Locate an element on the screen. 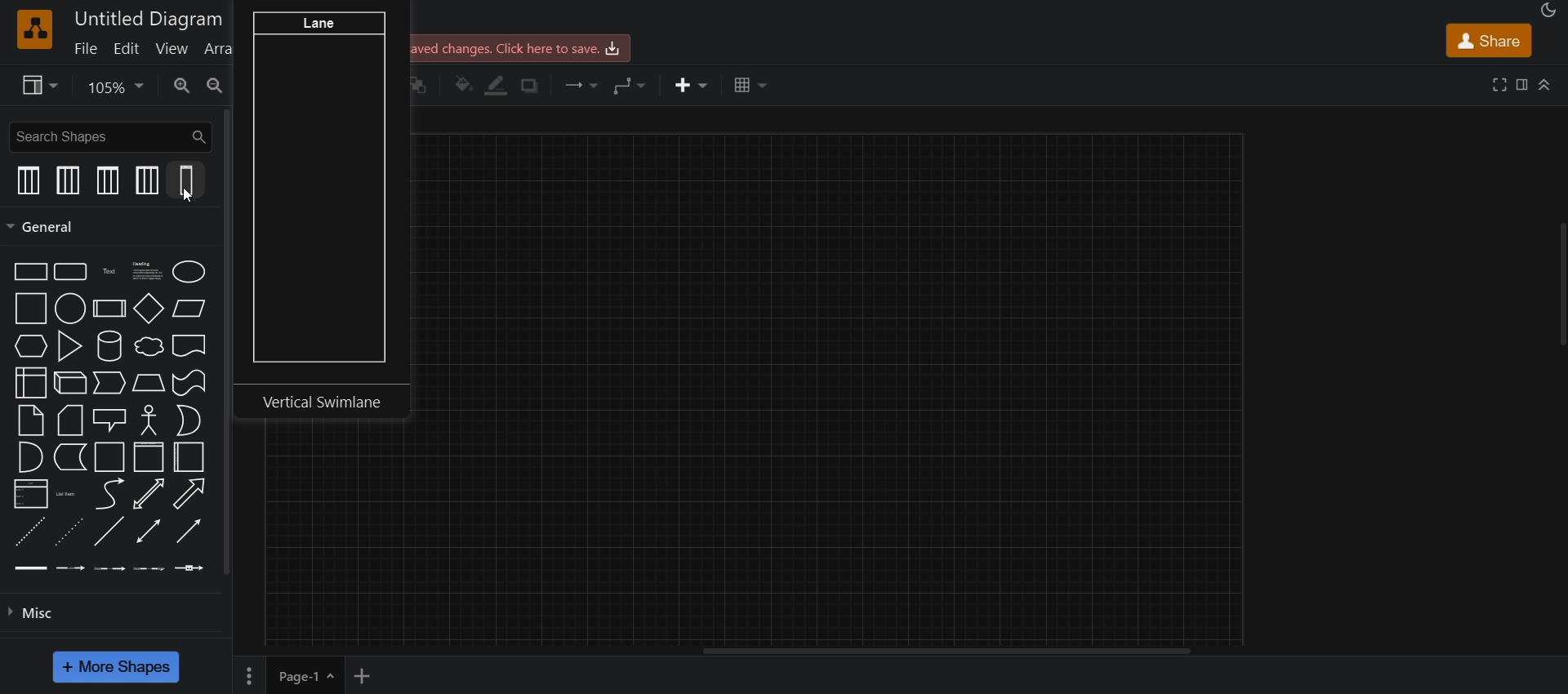 This screenshot has width=1568, height=694. edit is located at coordinates (131, 49).